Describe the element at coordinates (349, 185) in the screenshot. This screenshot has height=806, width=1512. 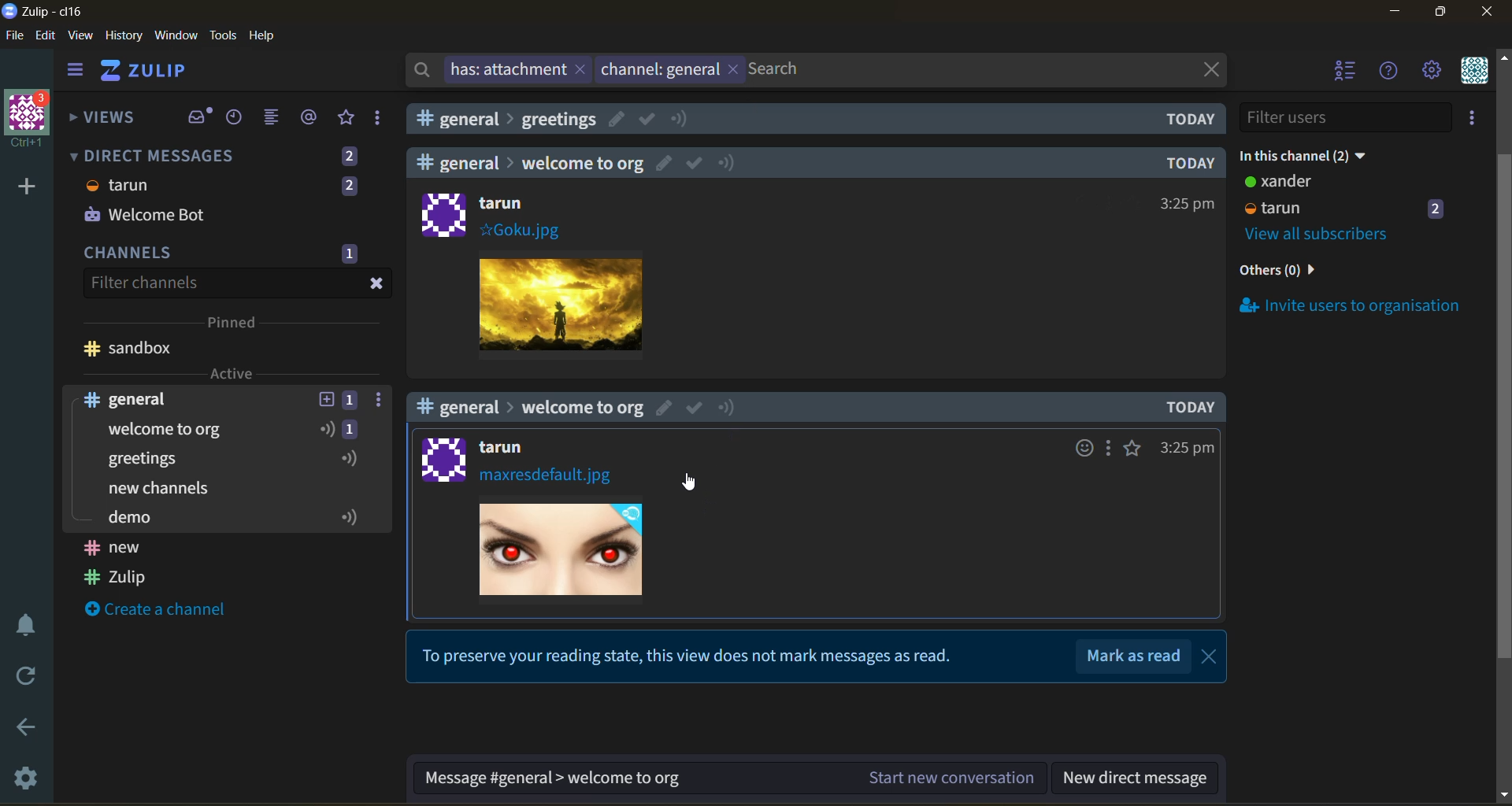
I see `2` at that location.